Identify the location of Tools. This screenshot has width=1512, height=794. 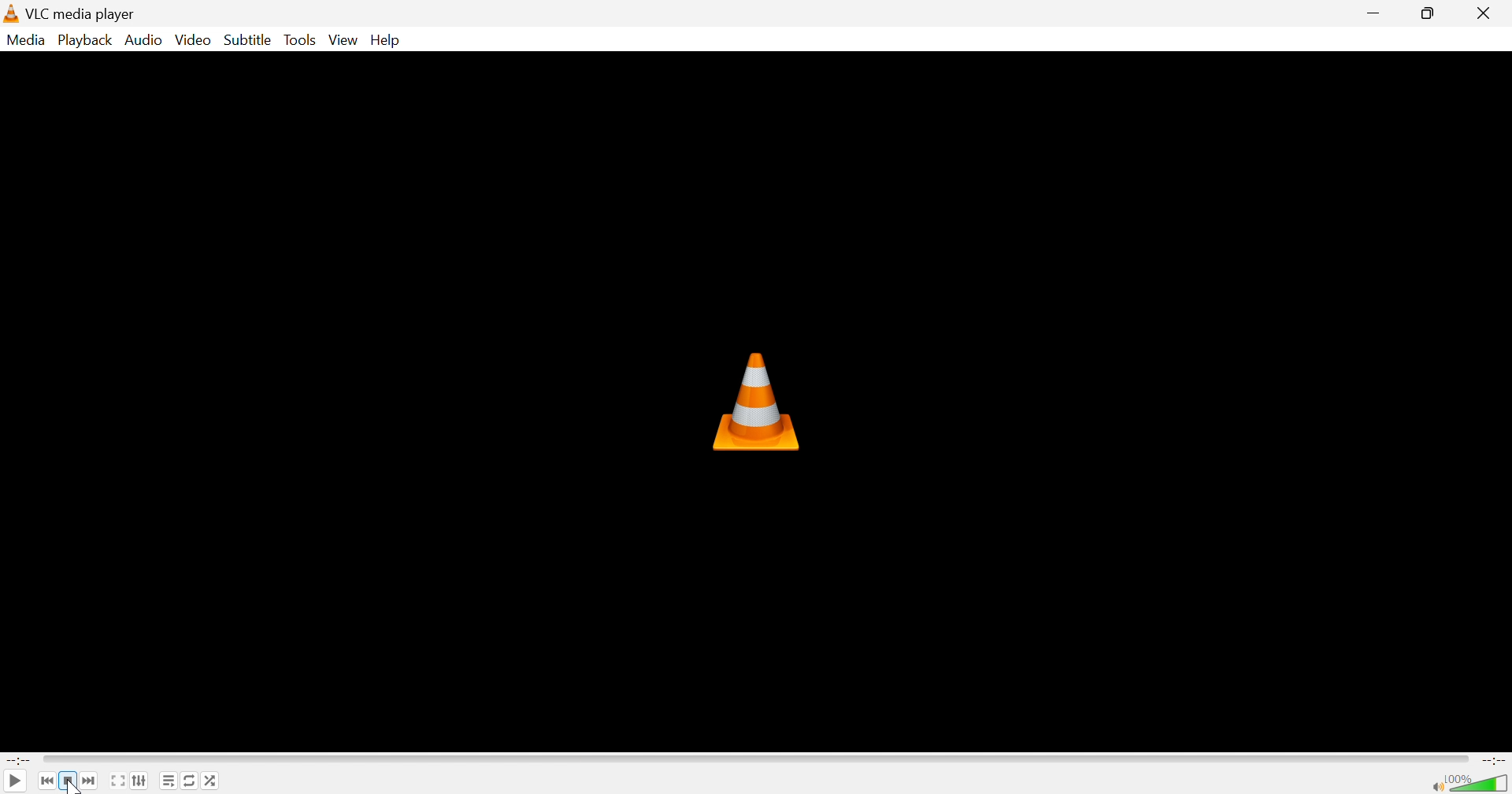
(302, 41).